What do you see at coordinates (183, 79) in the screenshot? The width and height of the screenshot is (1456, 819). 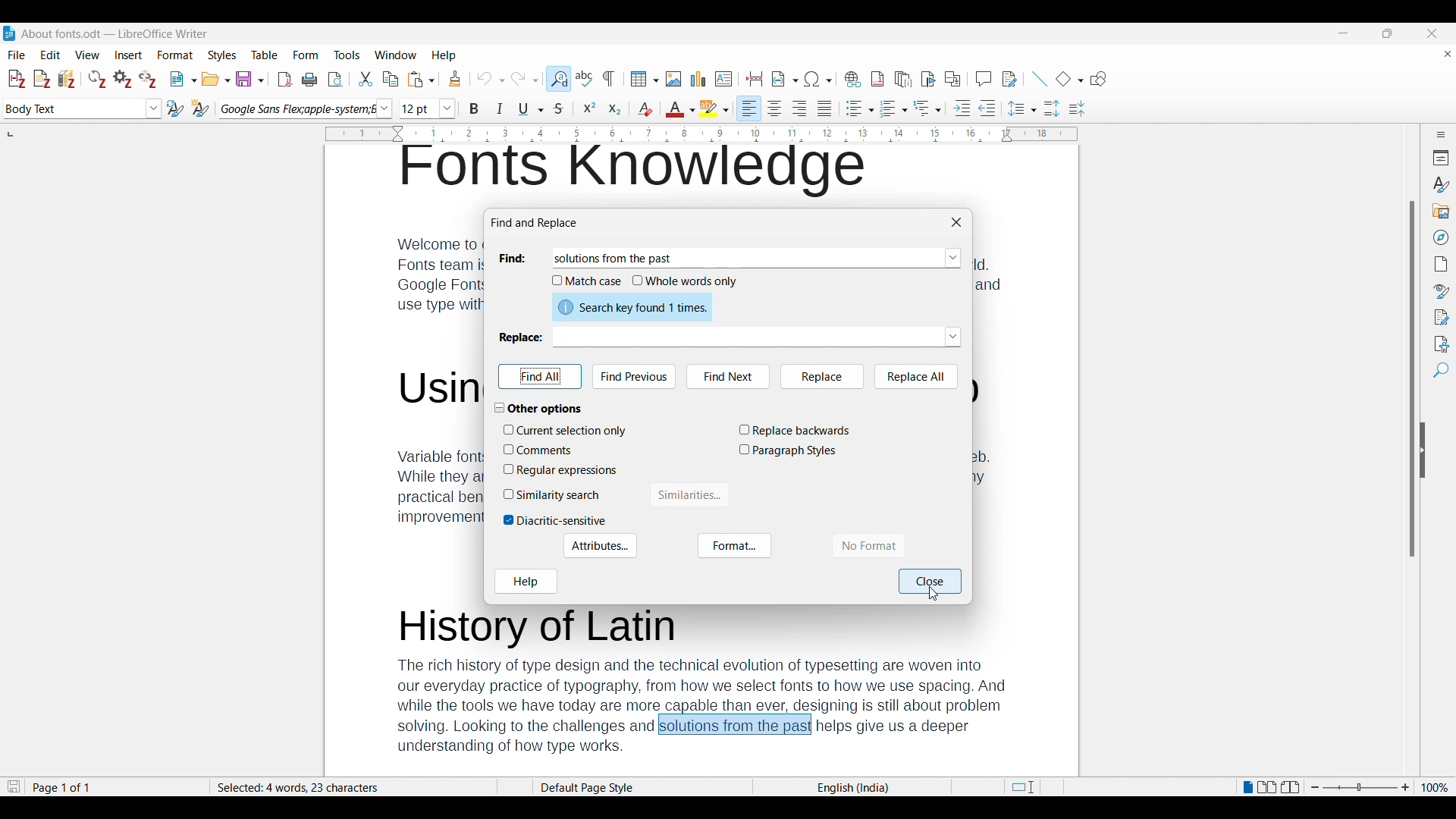 I see `New and New options` at bounding box center [183, 79].